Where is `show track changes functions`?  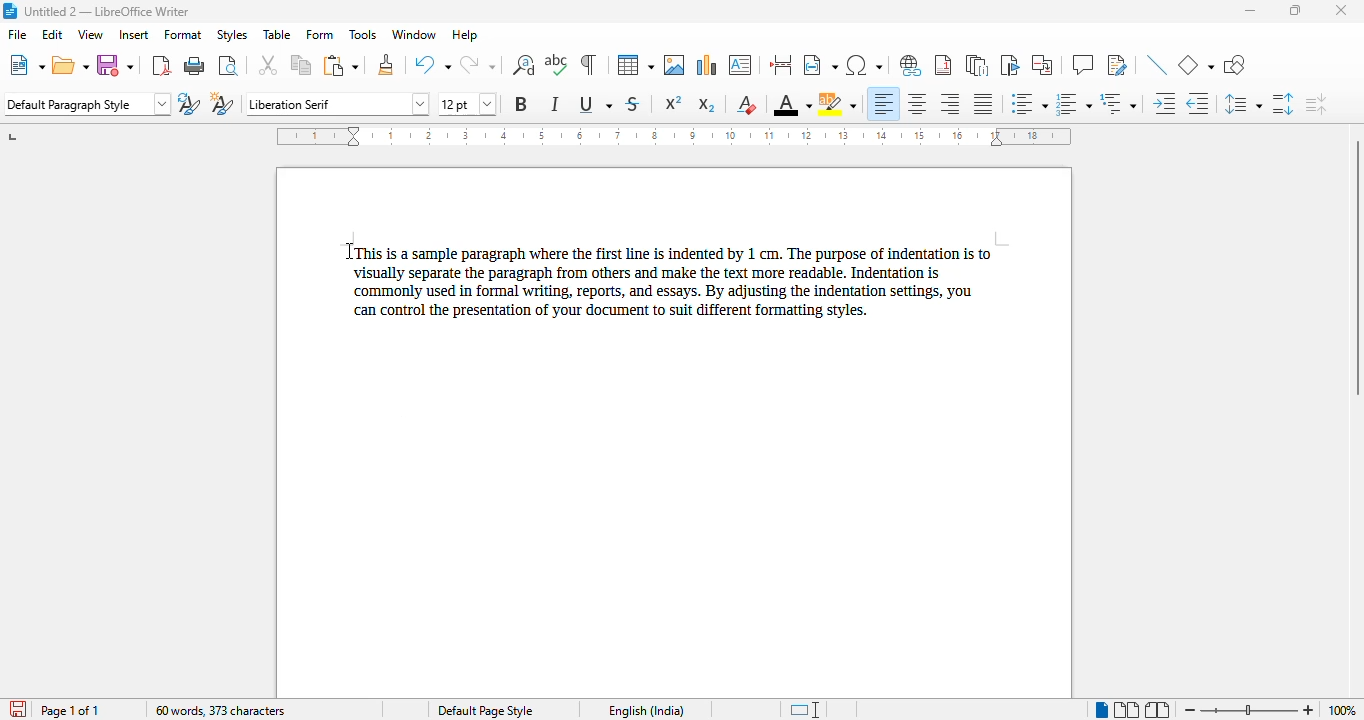
show track changes functions is located at coordinates (1117, 65).